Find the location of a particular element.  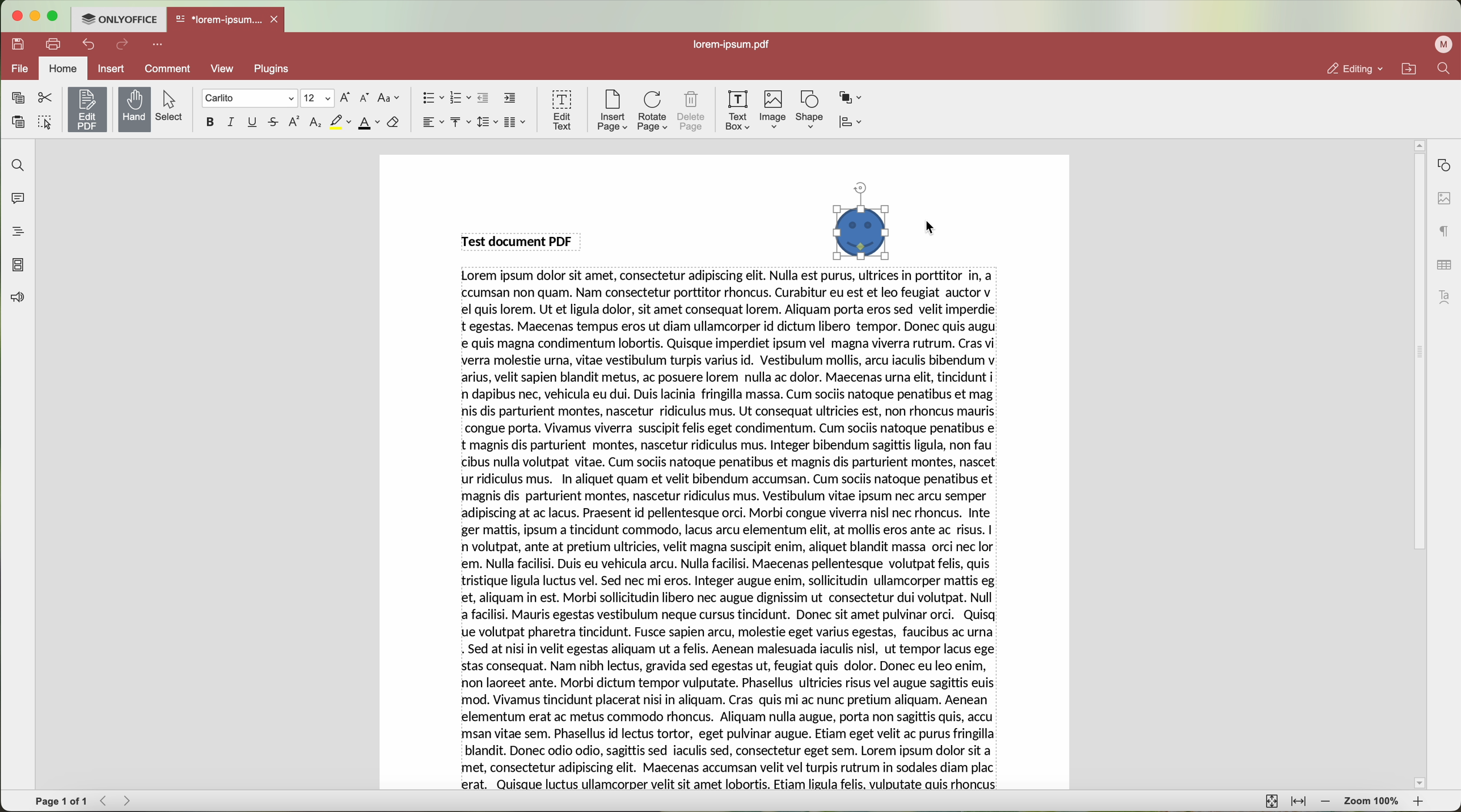

edit text is located at coordinates (561, 109).